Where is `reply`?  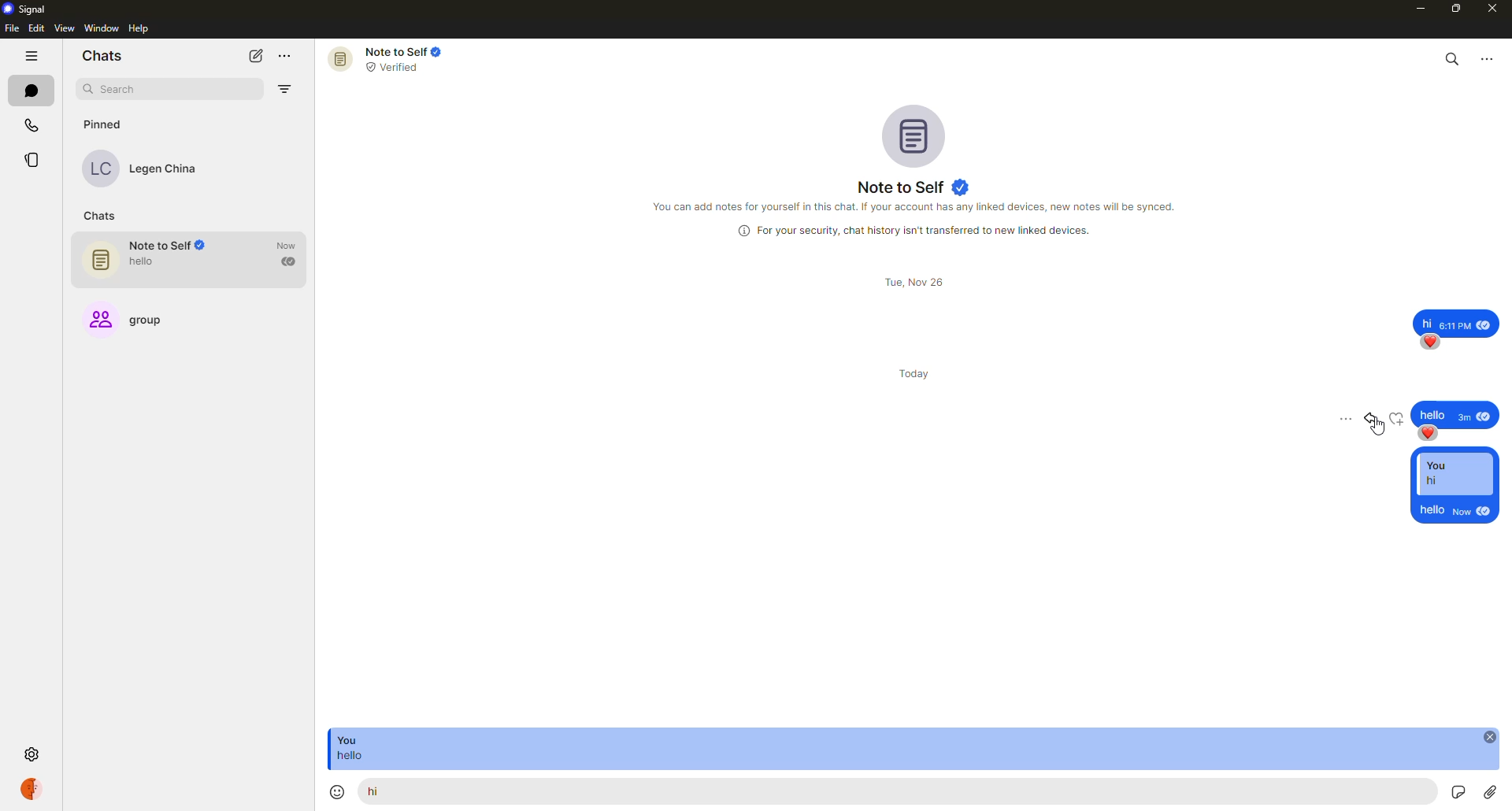 reply is located at coordinates (1453, 484).